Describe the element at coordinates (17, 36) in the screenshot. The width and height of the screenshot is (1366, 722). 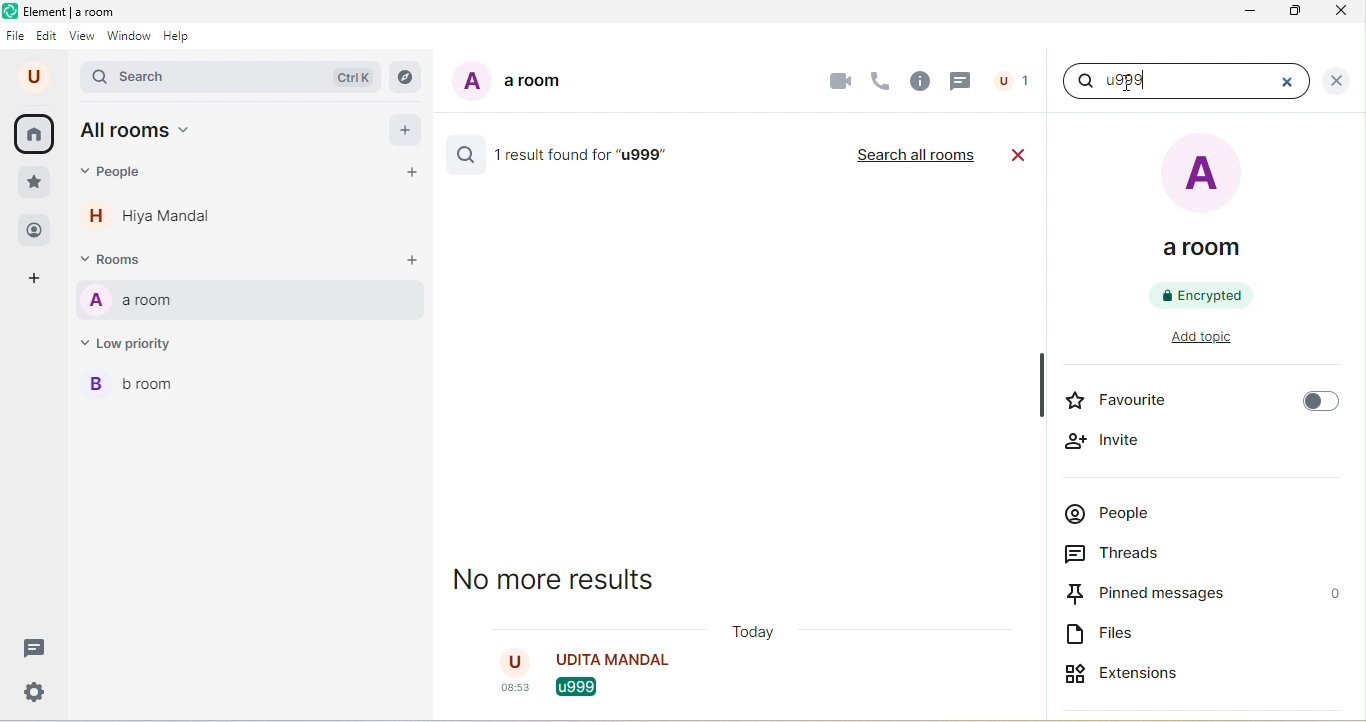
I see `file` at that location.